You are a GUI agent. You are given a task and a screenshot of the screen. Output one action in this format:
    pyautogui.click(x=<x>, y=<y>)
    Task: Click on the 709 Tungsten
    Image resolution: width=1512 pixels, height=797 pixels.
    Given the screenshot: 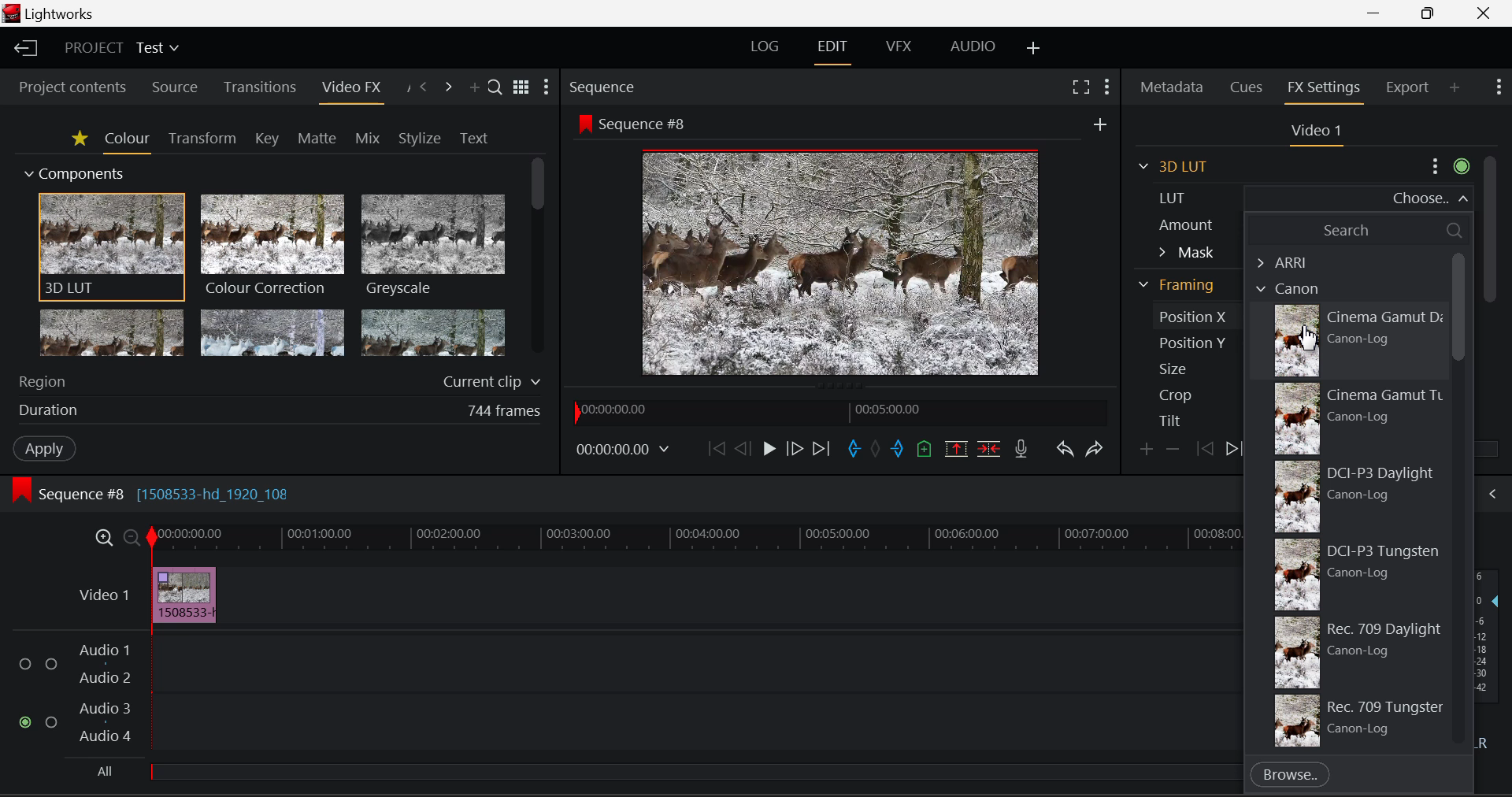 What is the action you would take?
    pyautogui.click(x=1347, y=721)
    